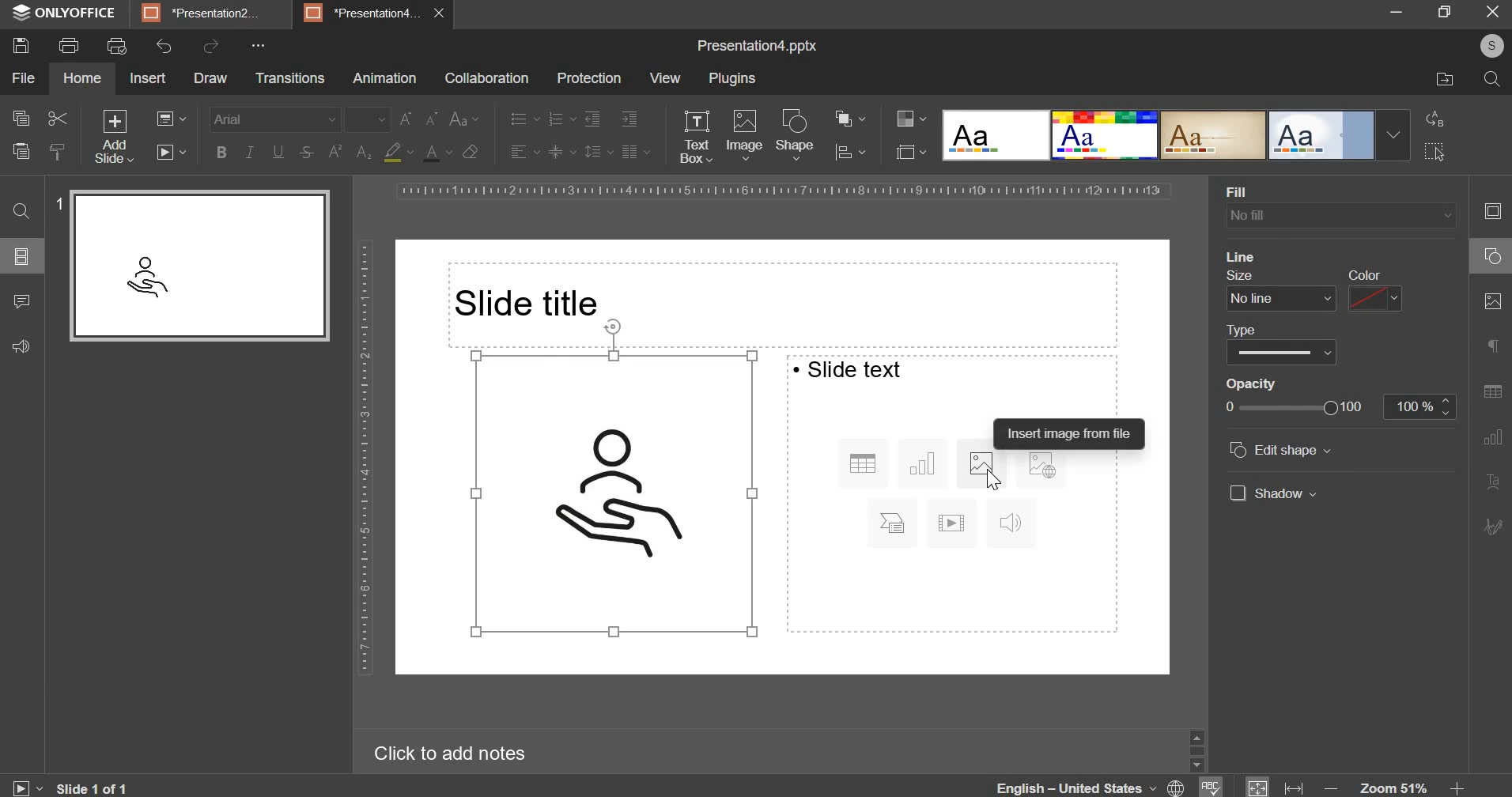 The image size is (1512, 797). I want to click on change case, so click(464, 119).